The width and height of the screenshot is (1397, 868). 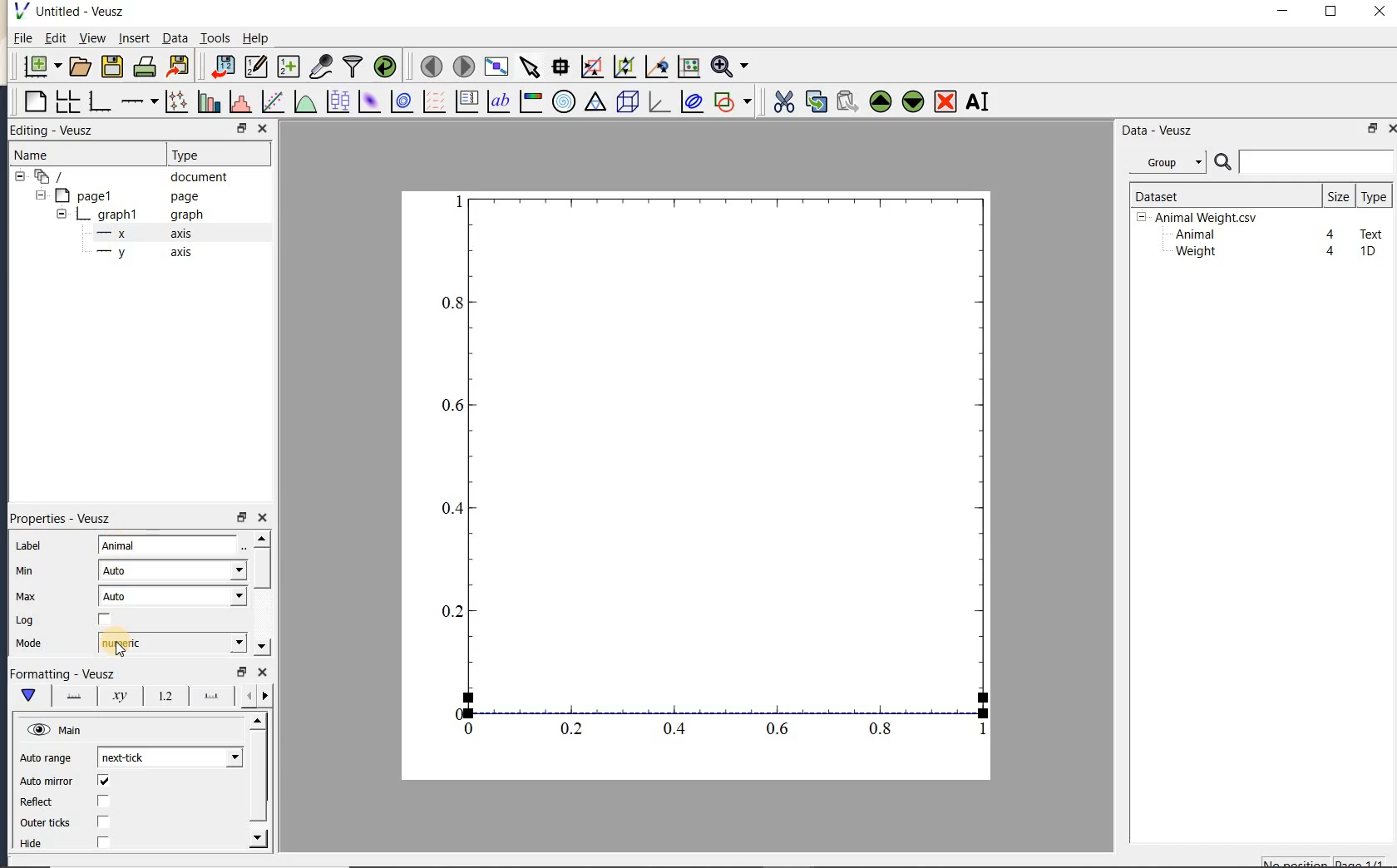 I want to click on check/uncheck, so click(x=102, y=841).